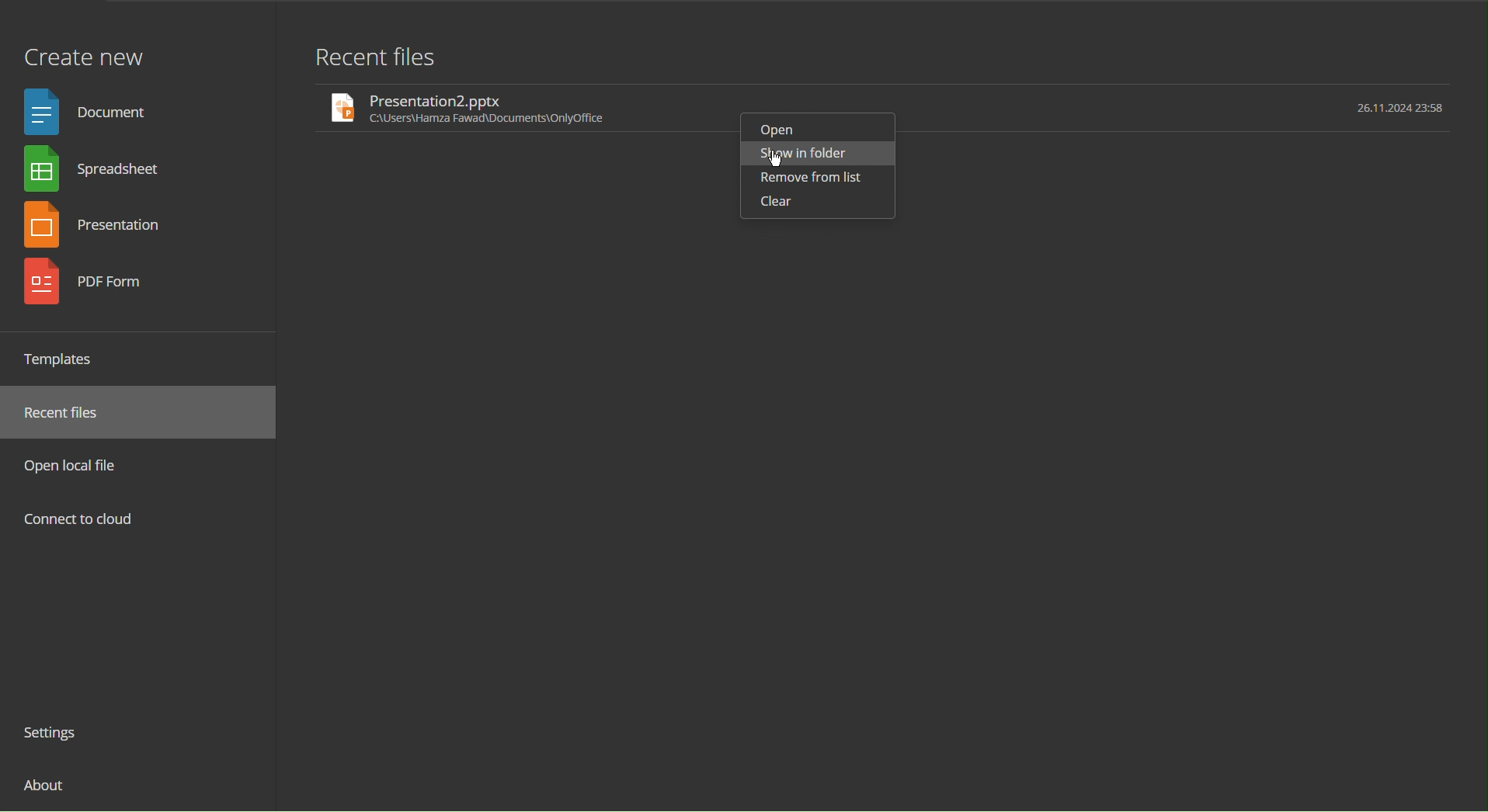 This screenshot has height=812, width=1488. Describe the element at coordinates (812, 179) in the screenshot. I see `Remove from list` at that location.